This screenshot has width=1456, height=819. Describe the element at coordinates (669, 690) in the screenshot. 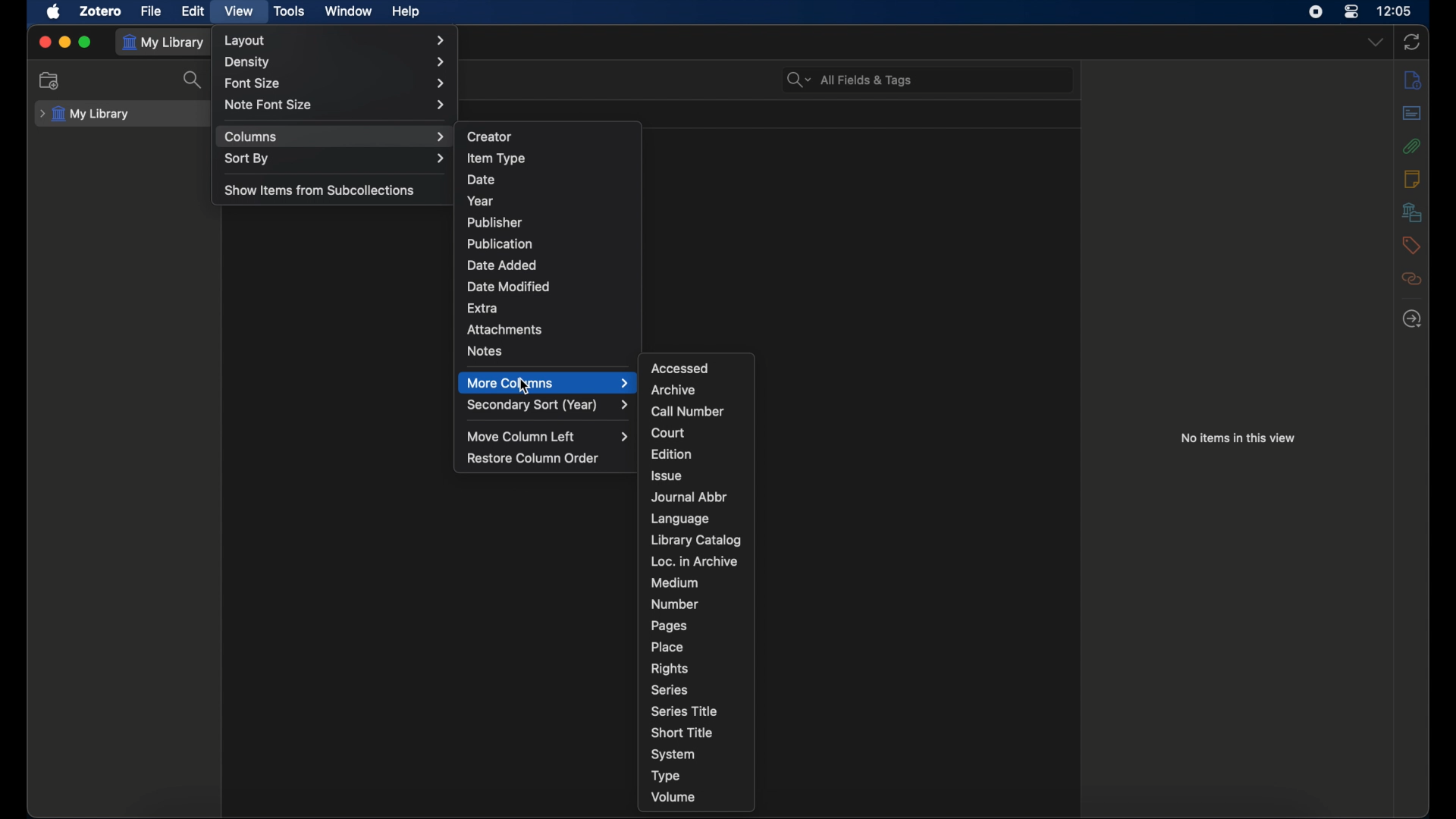

I see `series` at that location.